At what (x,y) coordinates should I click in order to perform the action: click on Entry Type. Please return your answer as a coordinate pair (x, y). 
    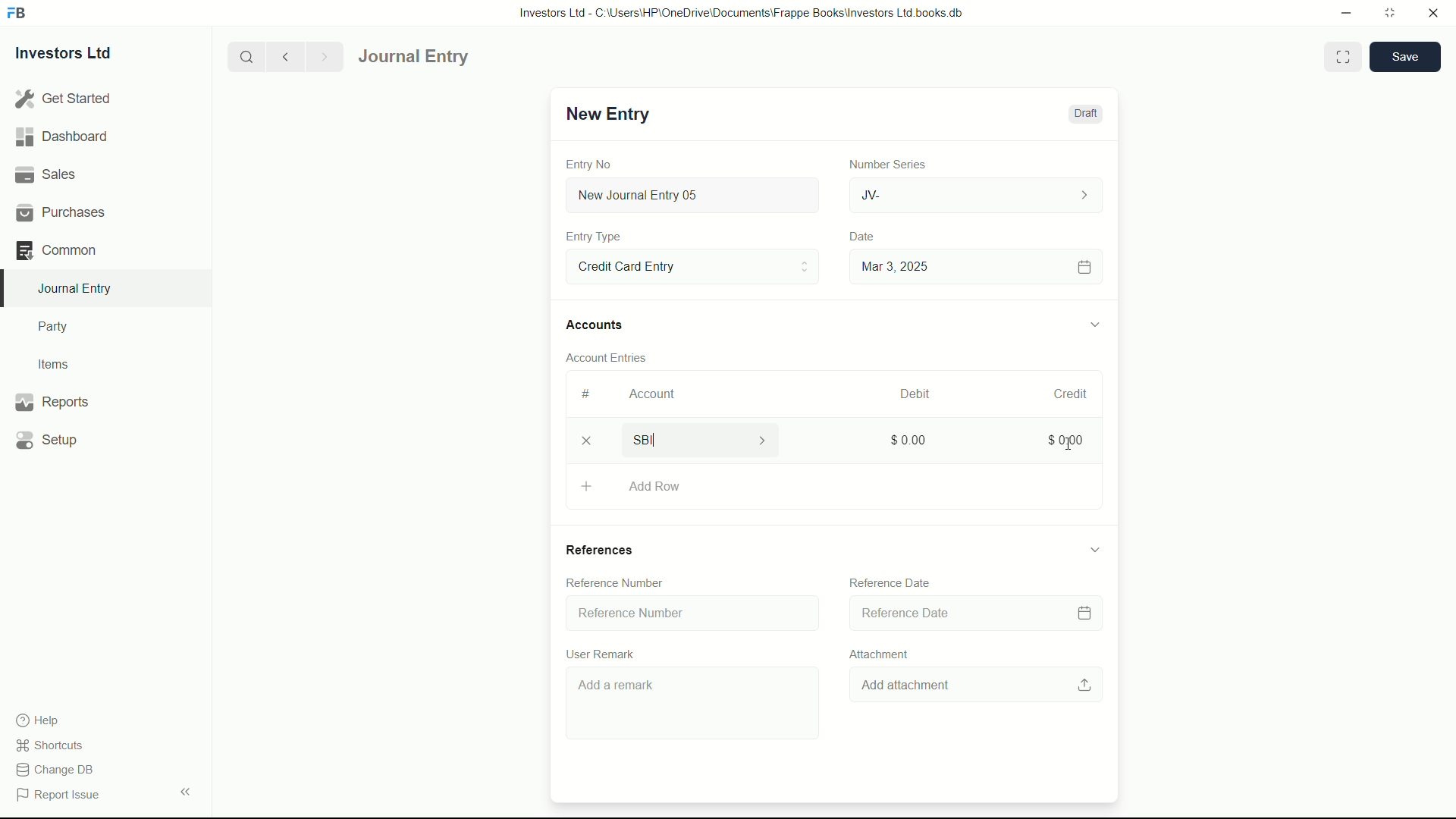
    Looking at the image, I should click on (691, 265).